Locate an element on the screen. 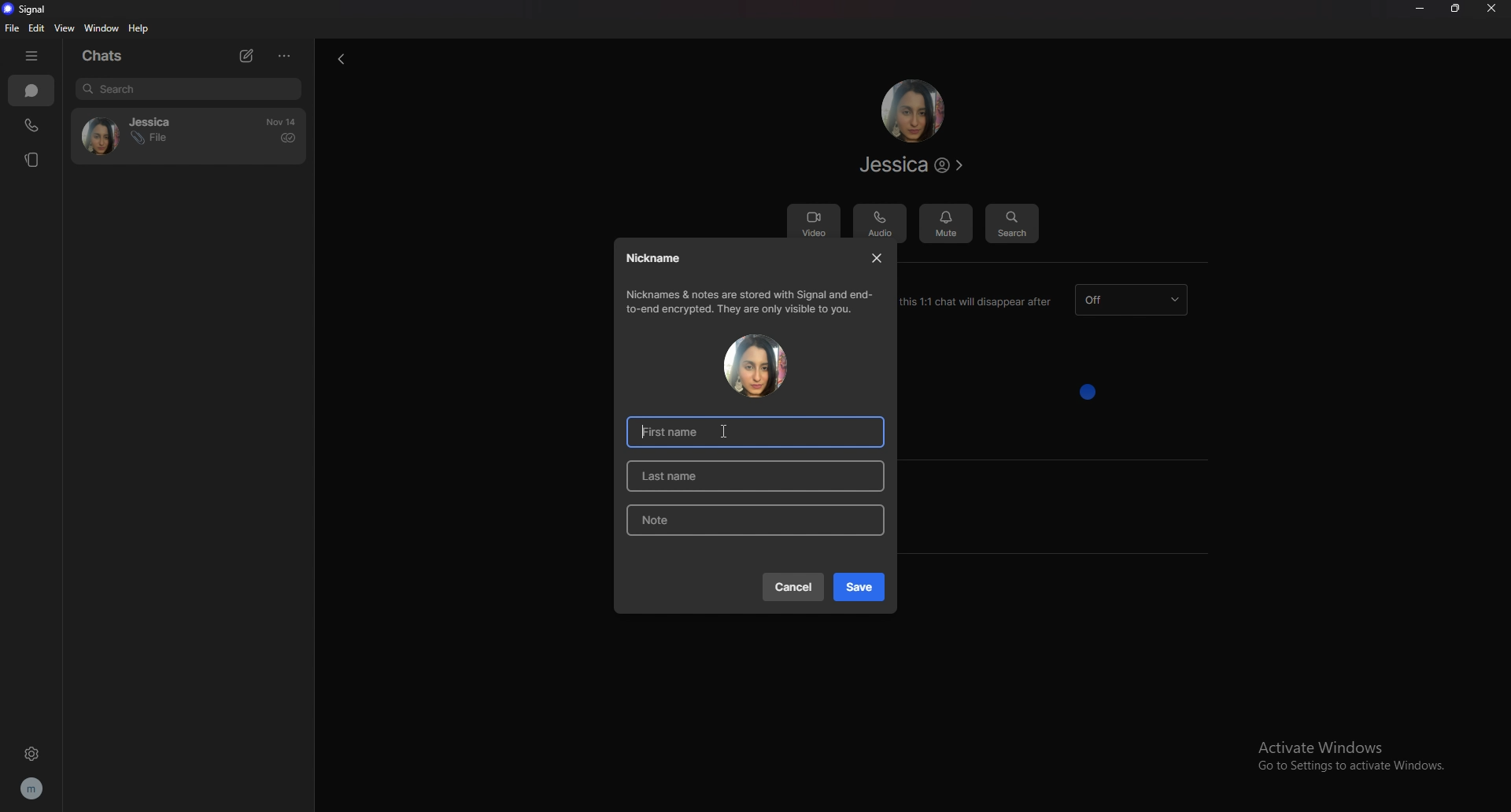 Image resolution: width=1511 pixels, height=812 pixels. view is located at coordinates (66, 28).